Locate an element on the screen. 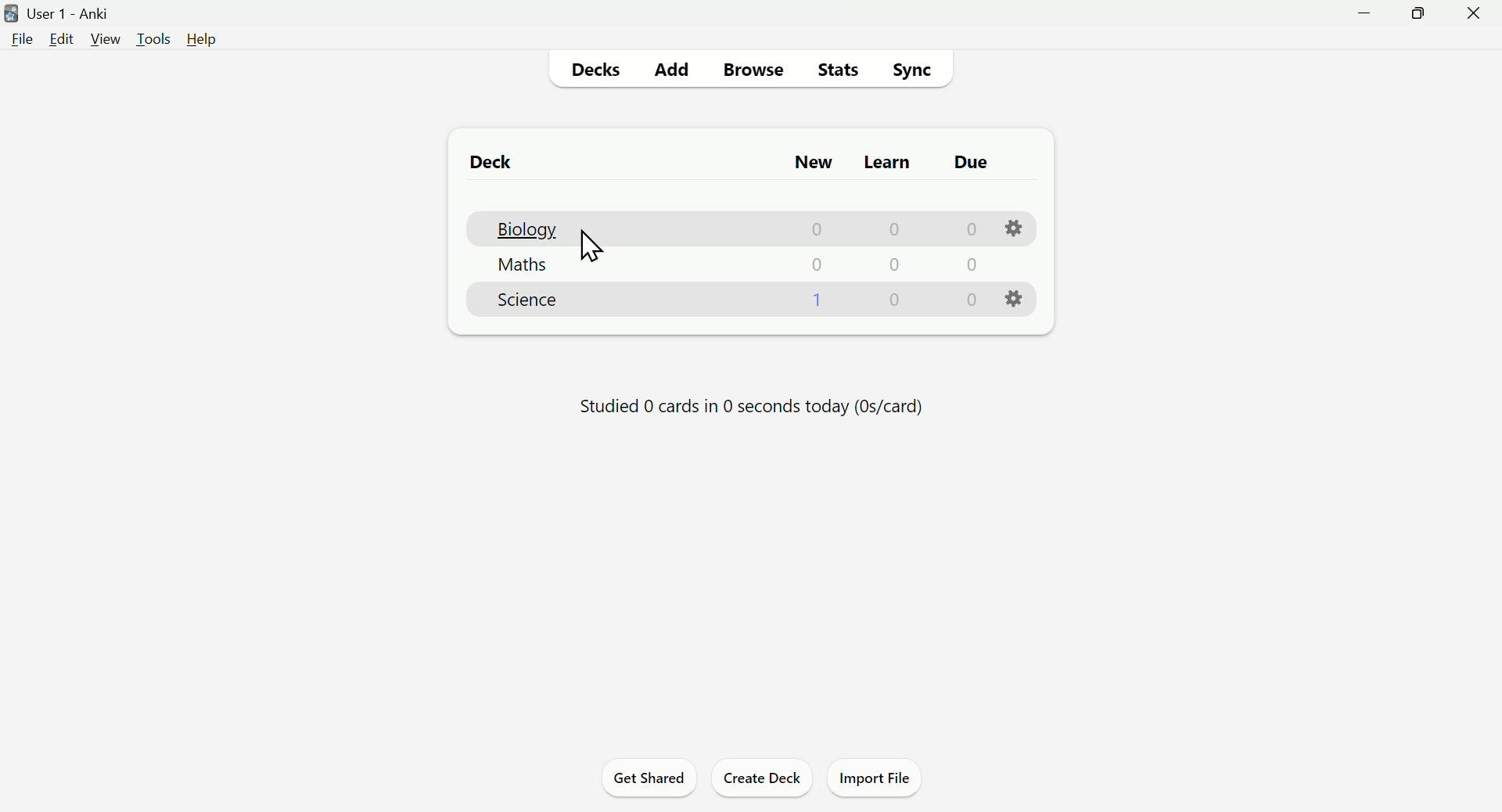 This screenshot has height=812, width=1502. Science is located at coordinates (527, 300).